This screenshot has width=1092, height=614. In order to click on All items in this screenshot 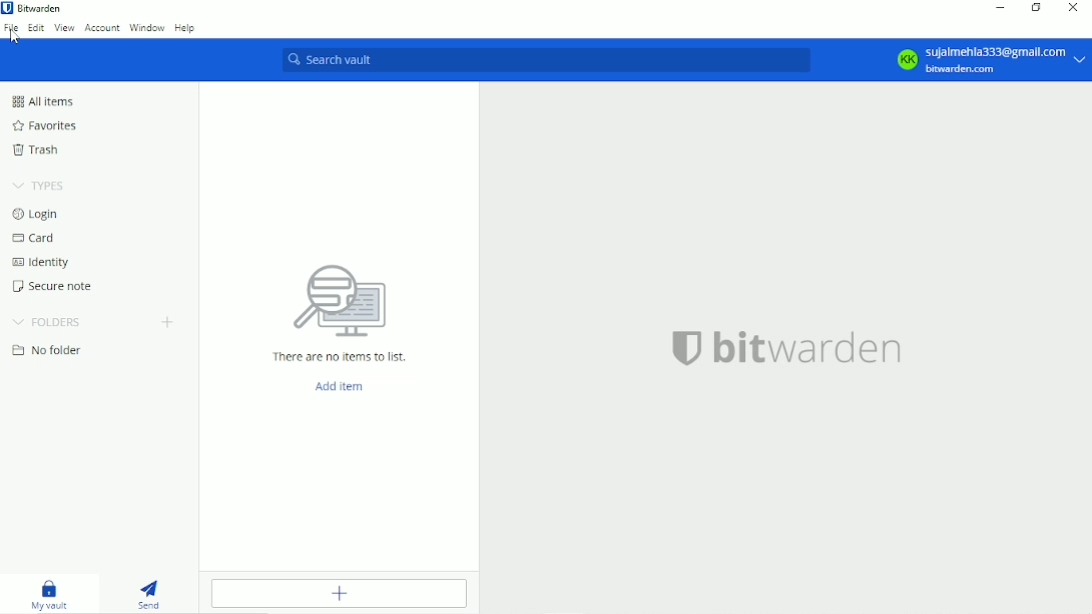, I will do `click(42, 100)`.